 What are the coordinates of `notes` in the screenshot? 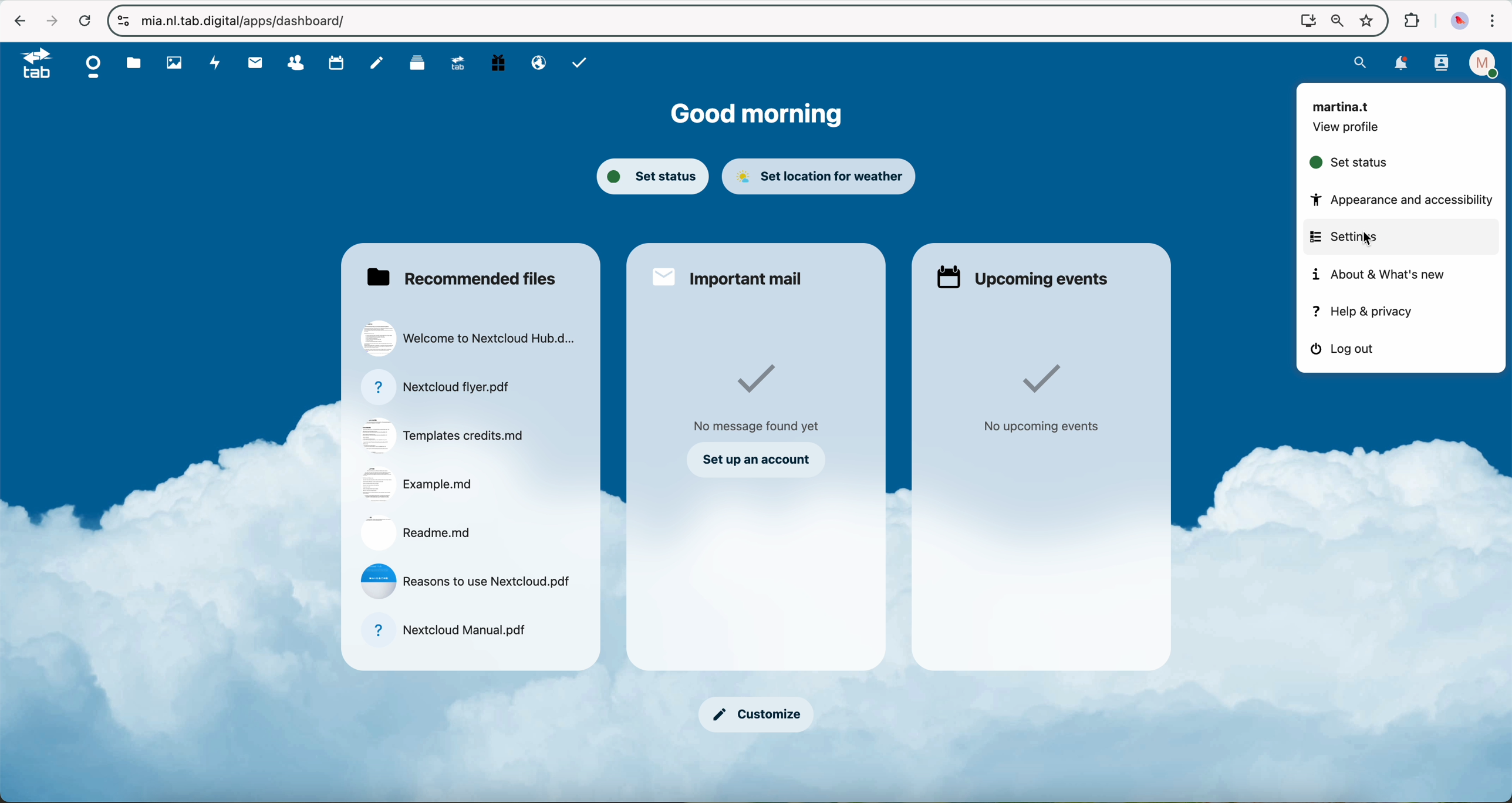 It's located at (377, 63).